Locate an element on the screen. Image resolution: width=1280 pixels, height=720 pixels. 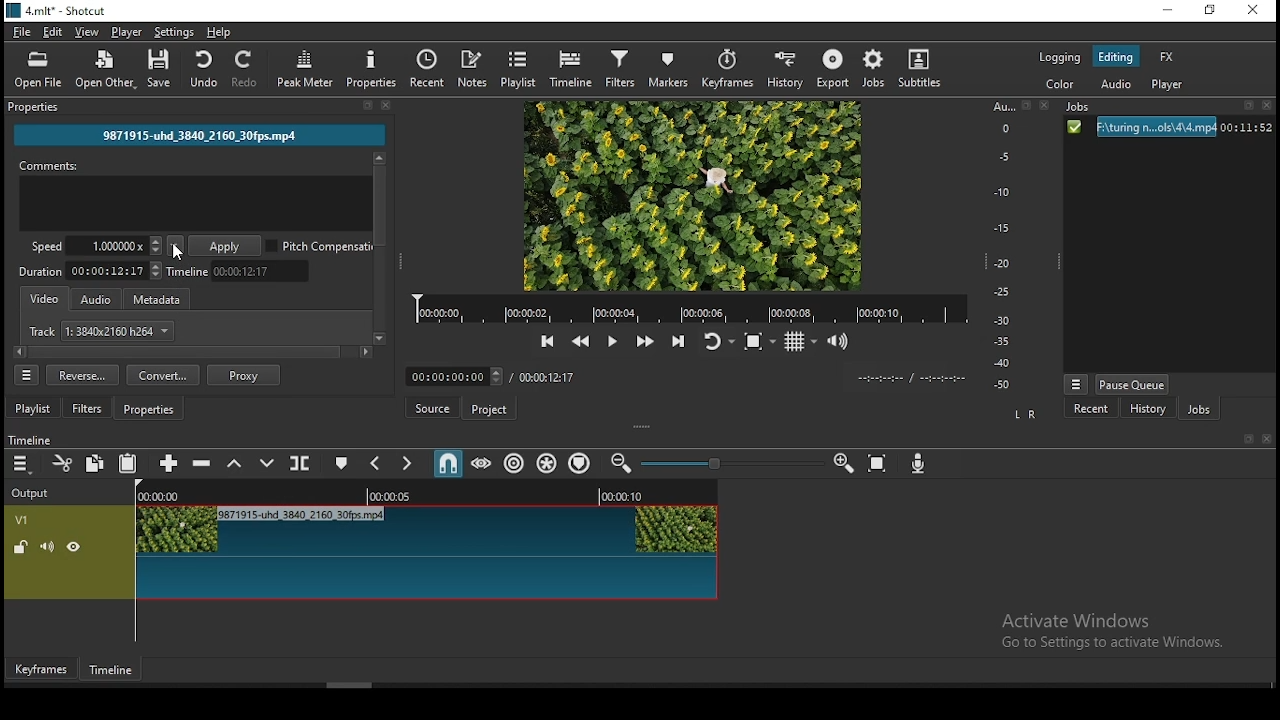
markers is located at coordinates (669, 69).